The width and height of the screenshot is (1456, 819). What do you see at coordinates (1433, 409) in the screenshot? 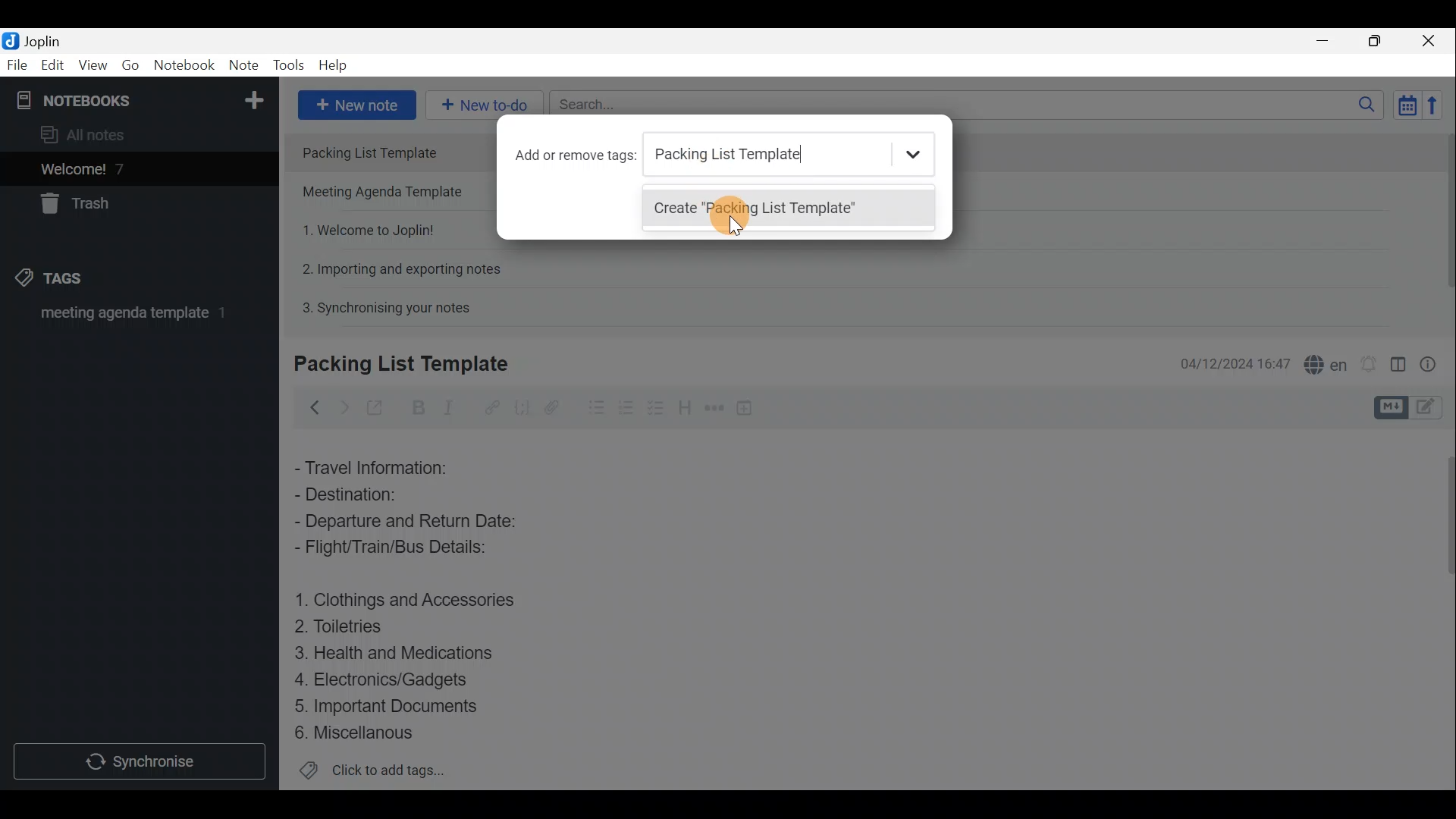
I see `Toggle editors` at bounding box center [1433, 409].